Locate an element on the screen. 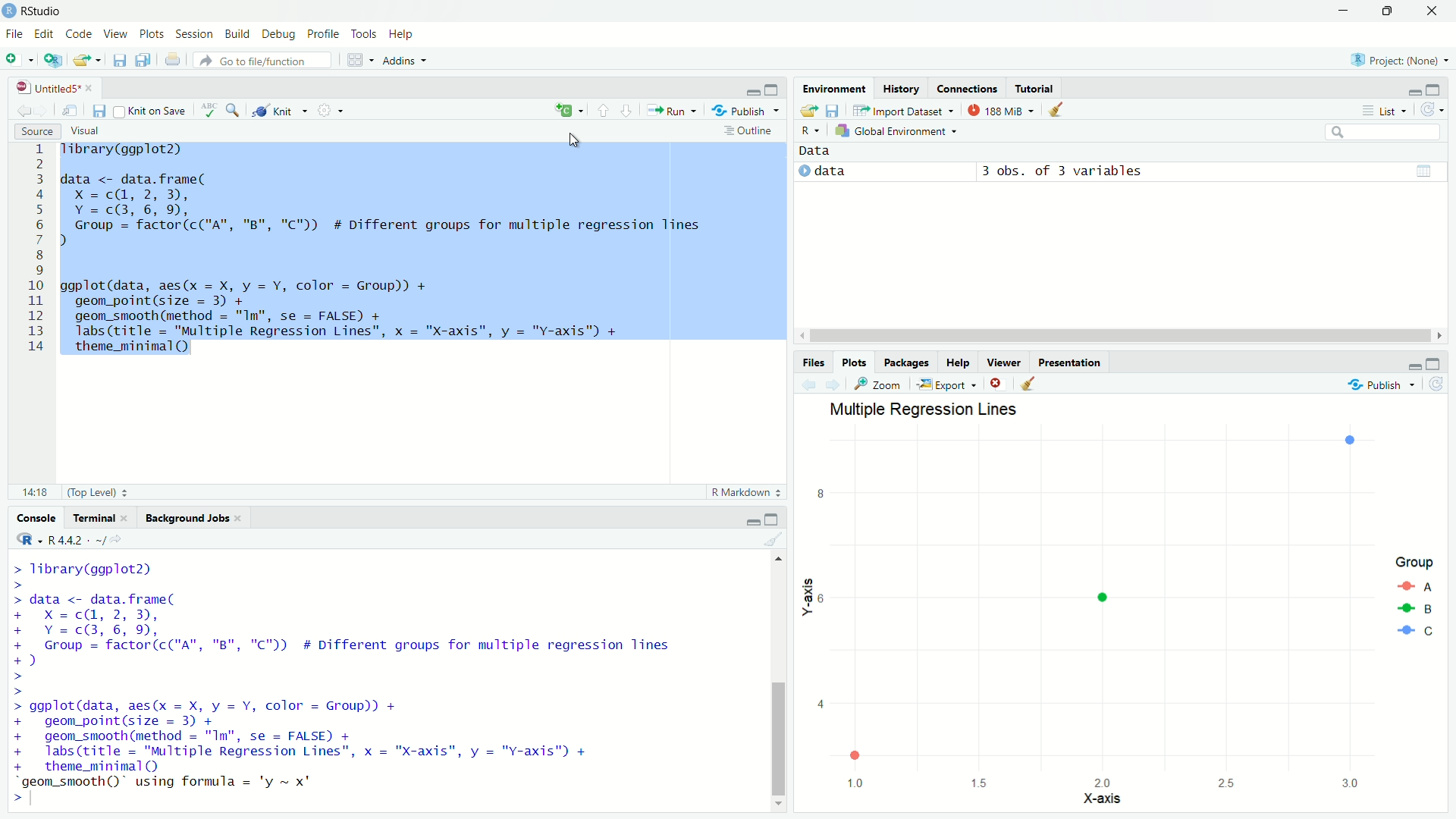 Image resolution: width=1456 pixels, height=819 pixels. upward is located at coordinates (601, 109).